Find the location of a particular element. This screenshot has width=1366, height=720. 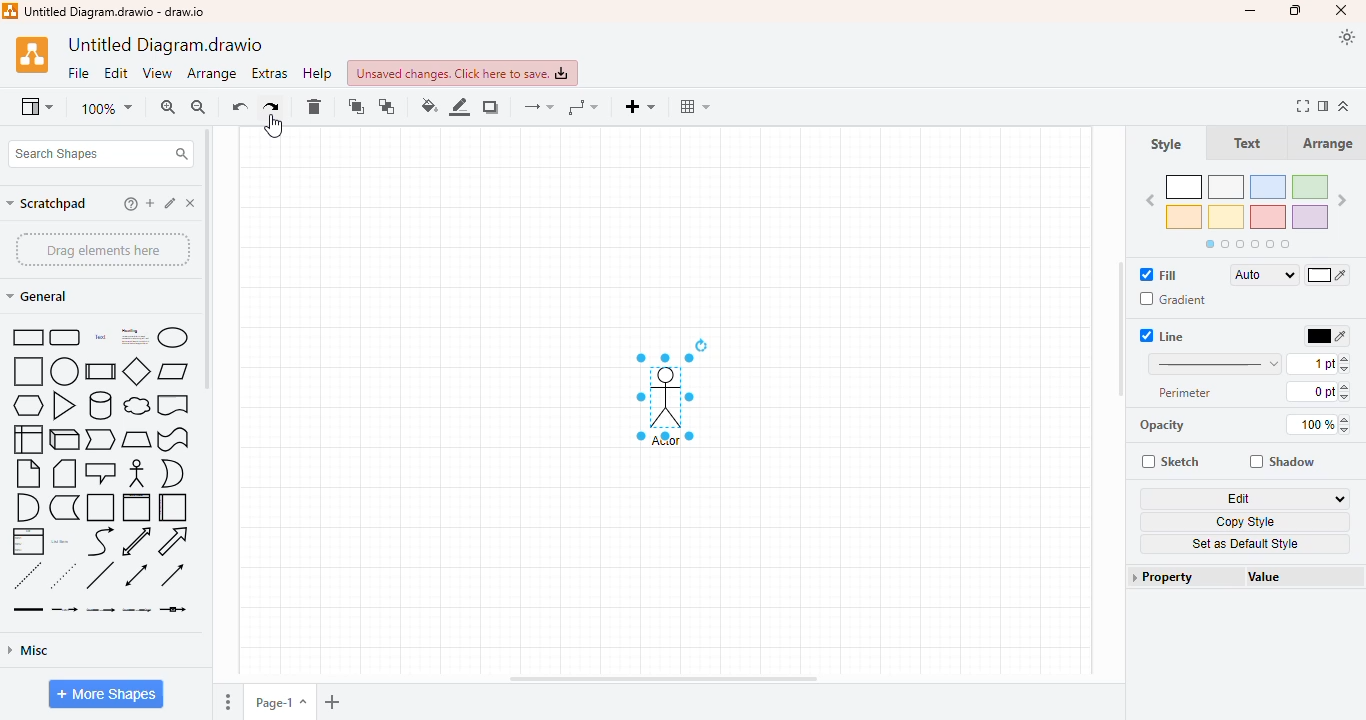

ellipse is located at coordinates (172, 337).